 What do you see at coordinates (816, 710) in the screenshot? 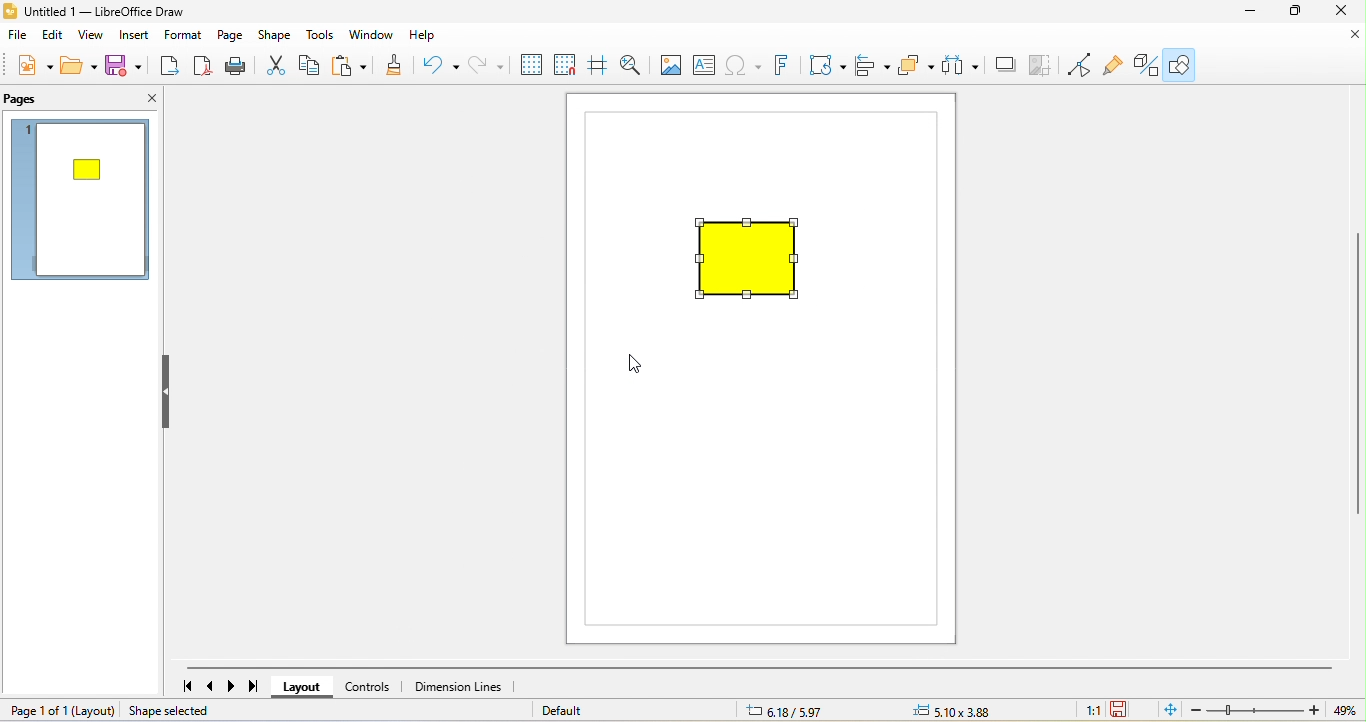
I see `8.29/7.64` at bounding box center [816, 710].